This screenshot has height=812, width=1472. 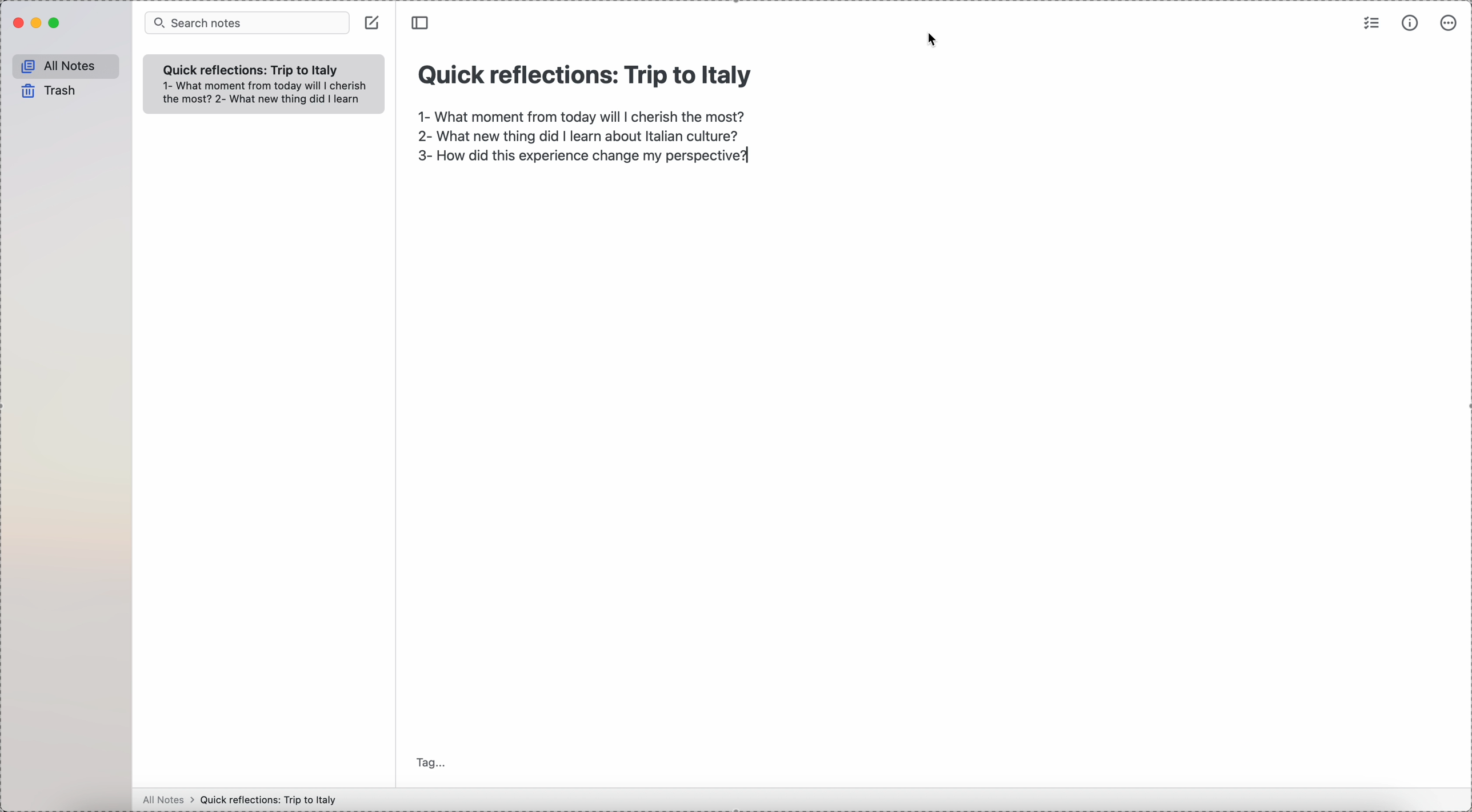 What do you see at coordinates (253, 69) in the screenshot?
I see `quick refelection trip to italy` at bounding box center [253, 69].